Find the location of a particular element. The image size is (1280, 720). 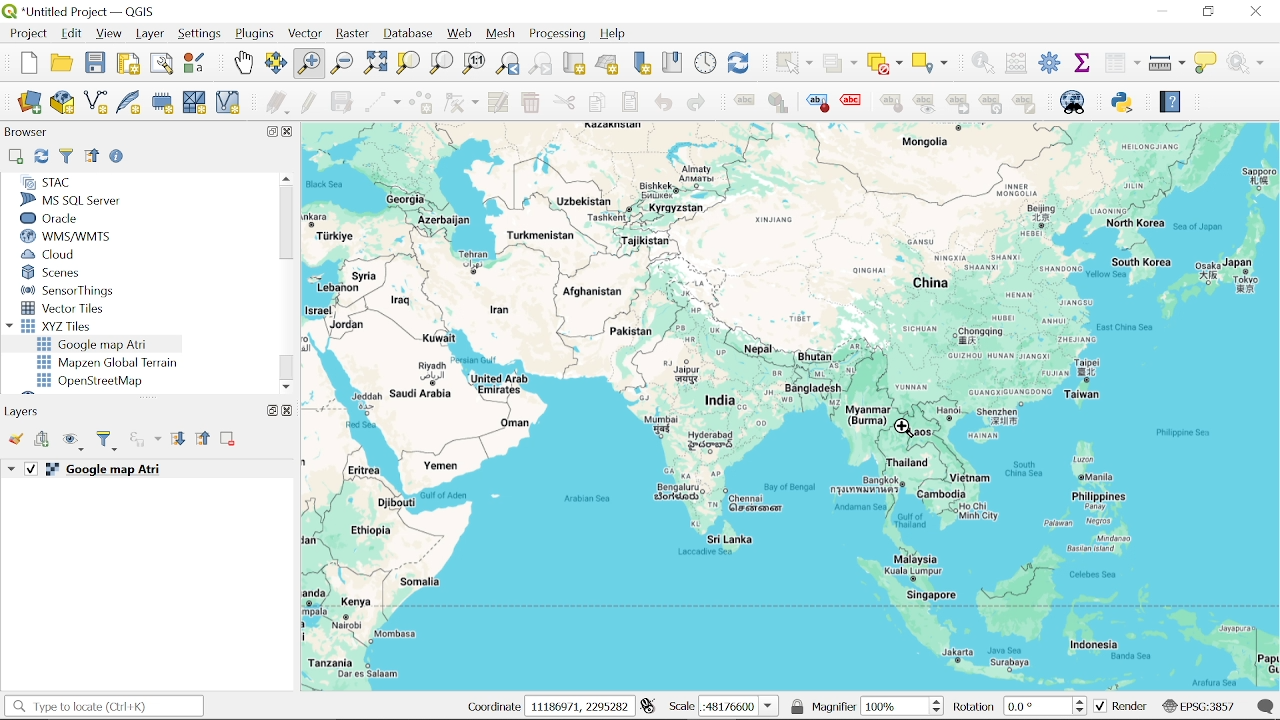

Modify the attributes if all selected features simultaneously is located at coordinates (499, 103).